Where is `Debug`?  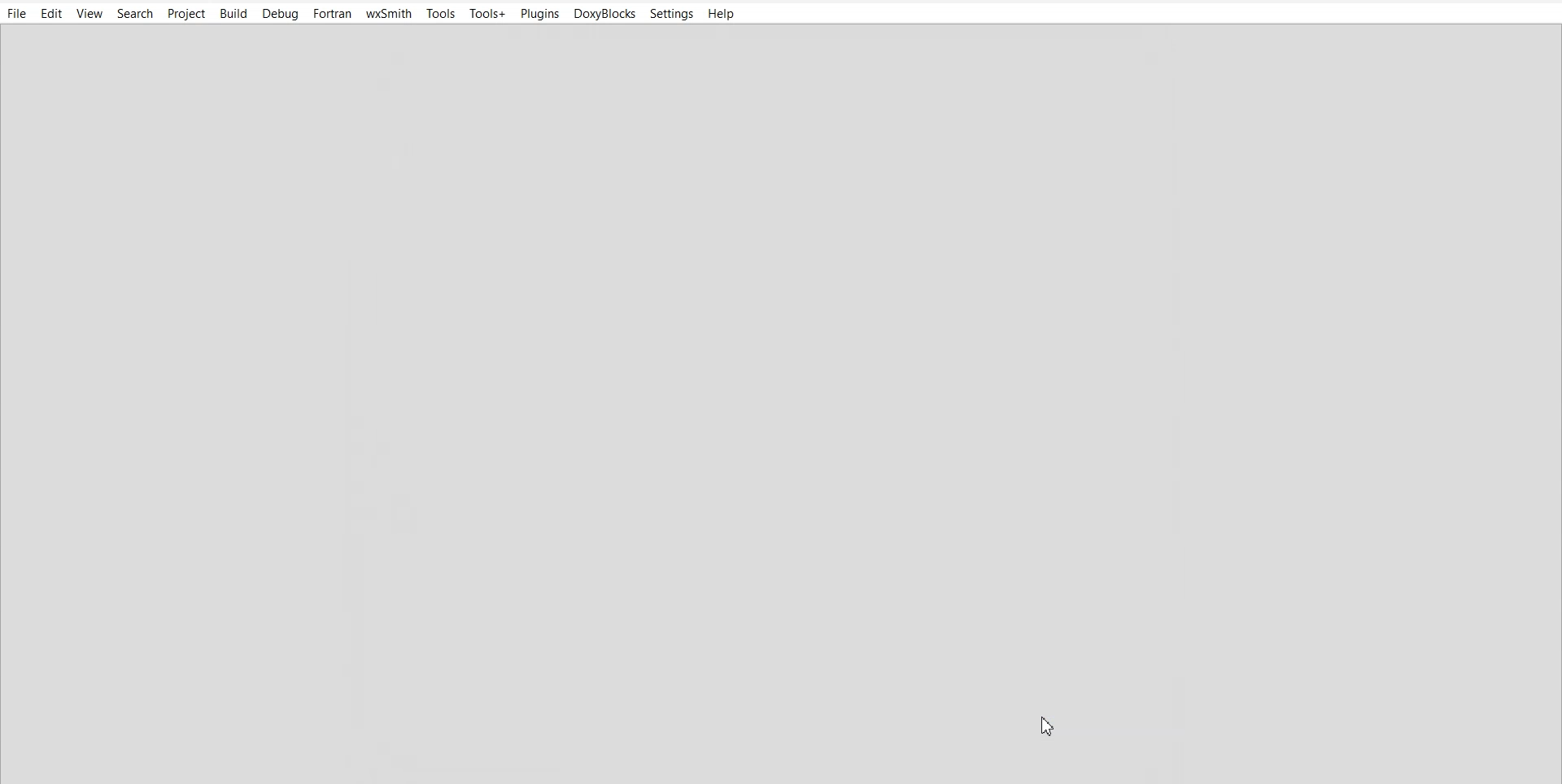
Debug is located at coordinates (281, 14).